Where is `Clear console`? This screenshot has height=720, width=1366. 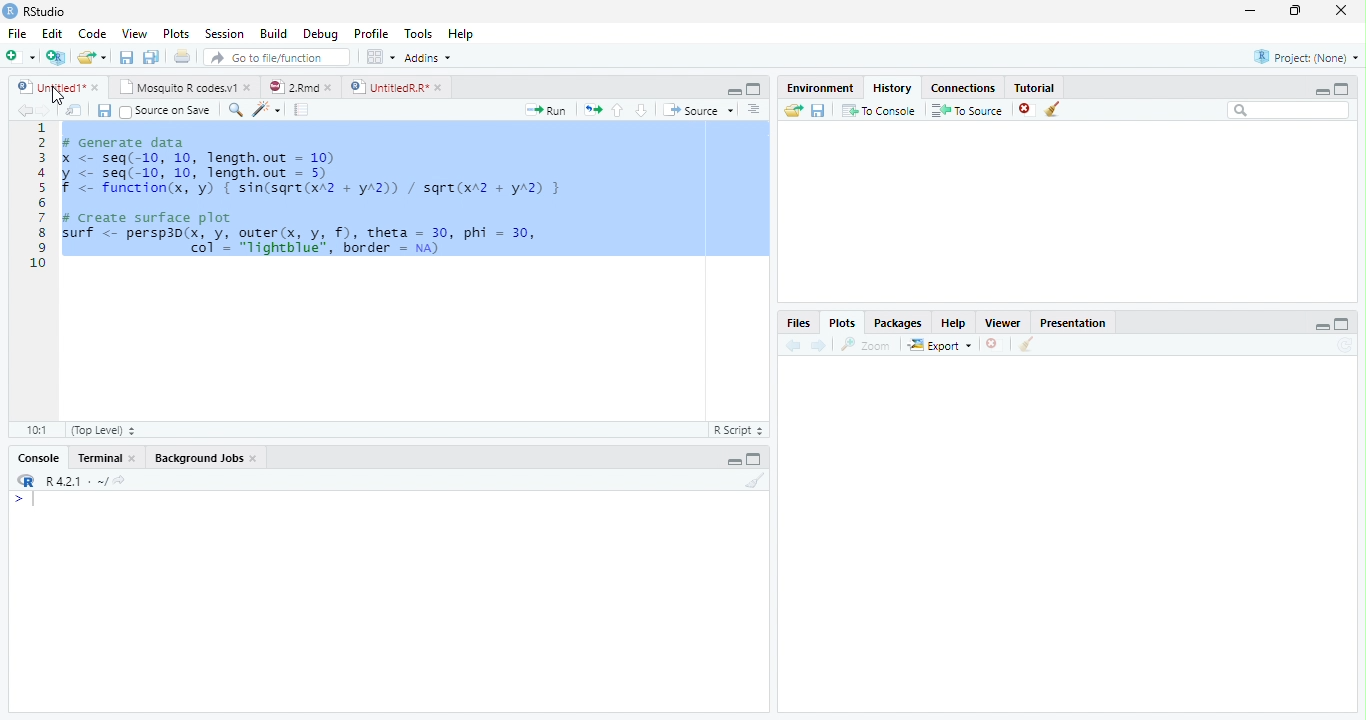
Clear console is located at coordinates (756, 480).